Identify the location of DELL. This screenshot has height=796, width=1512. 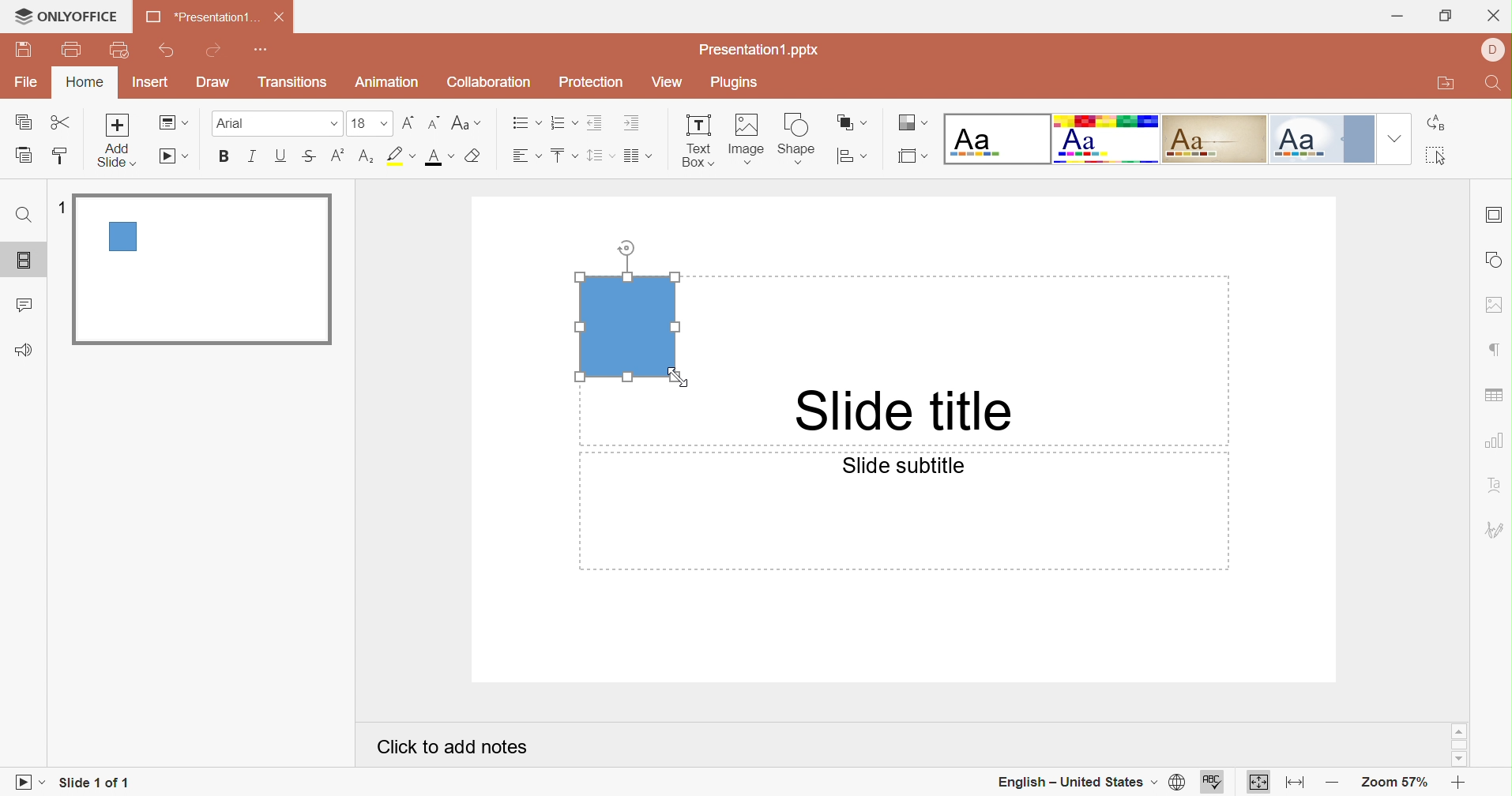
(1494, 51).